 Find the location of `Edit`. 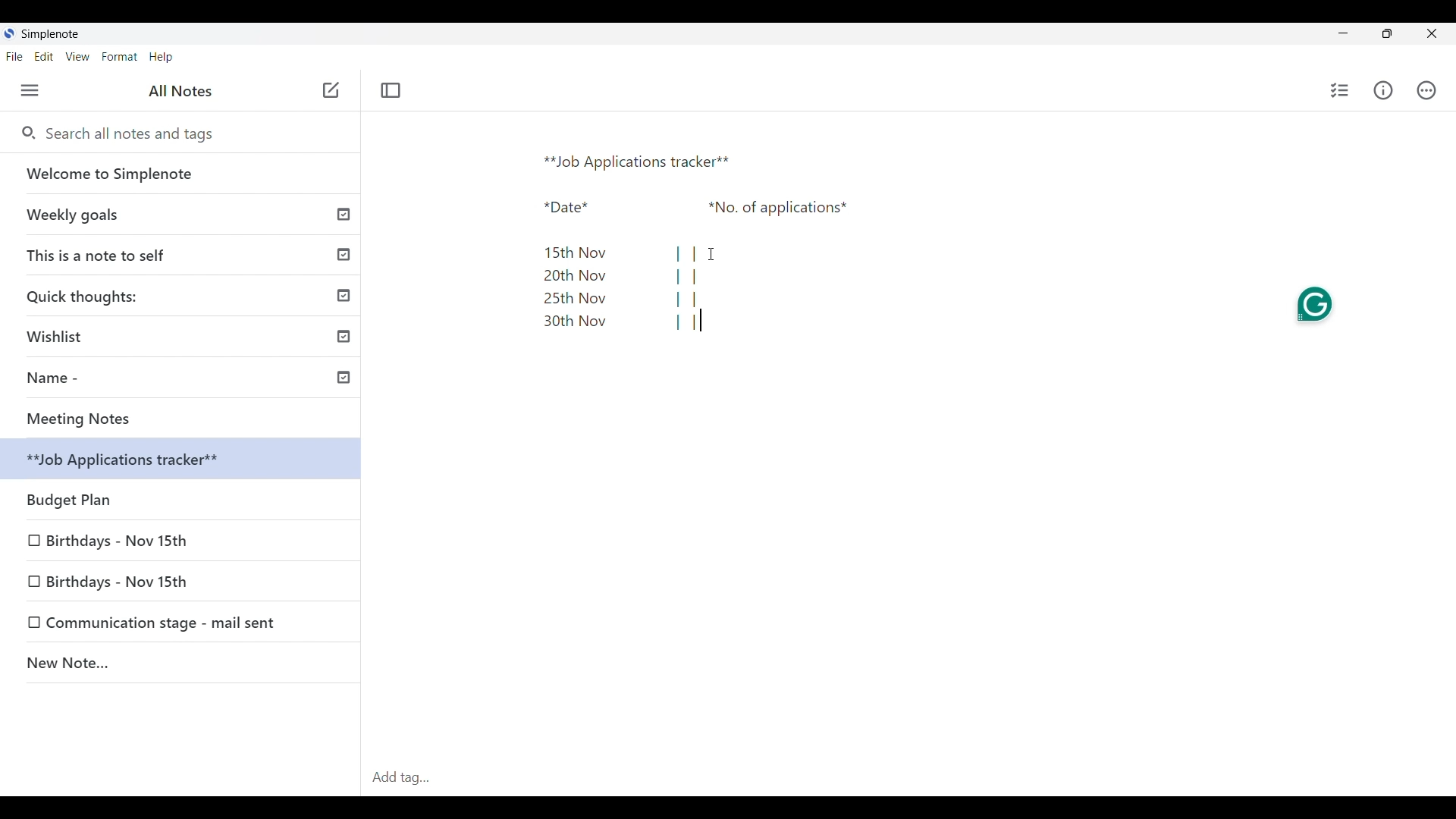

Edit is located at coordinates (44, 56).